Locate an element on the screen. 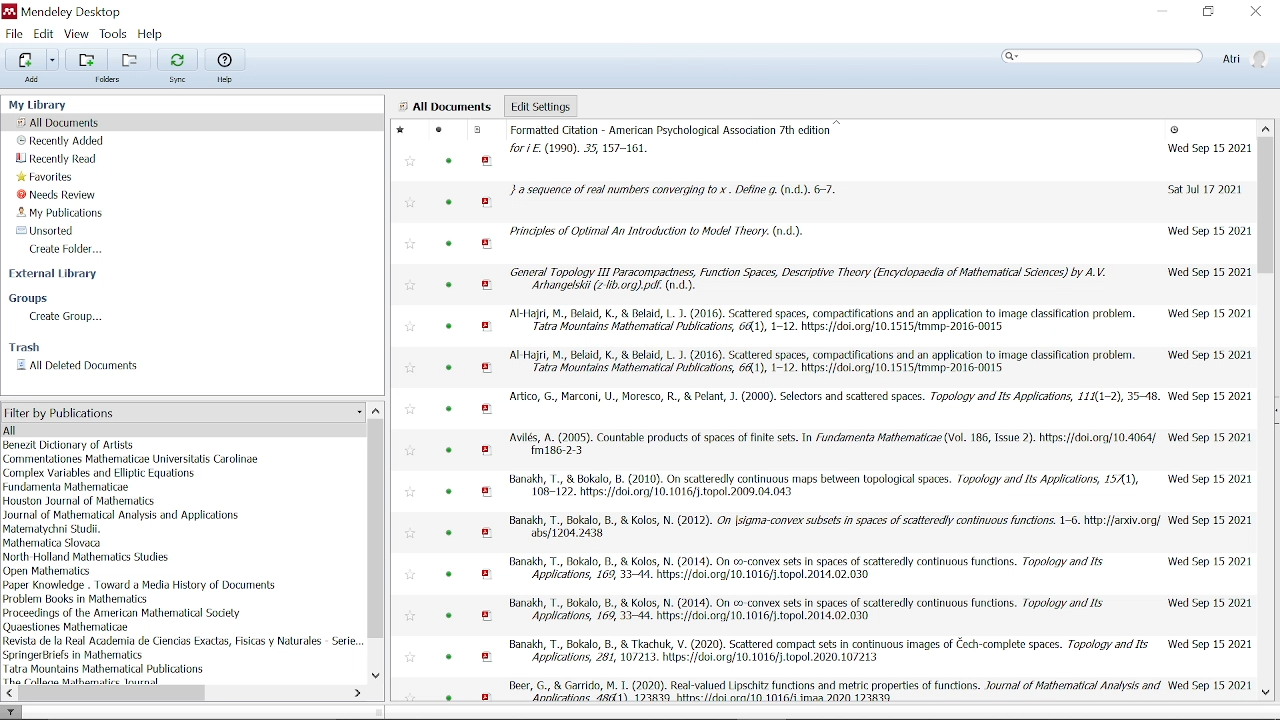 The width and height of the screenshot is (1280, 720). date time is located at coordinates (1209, 396).